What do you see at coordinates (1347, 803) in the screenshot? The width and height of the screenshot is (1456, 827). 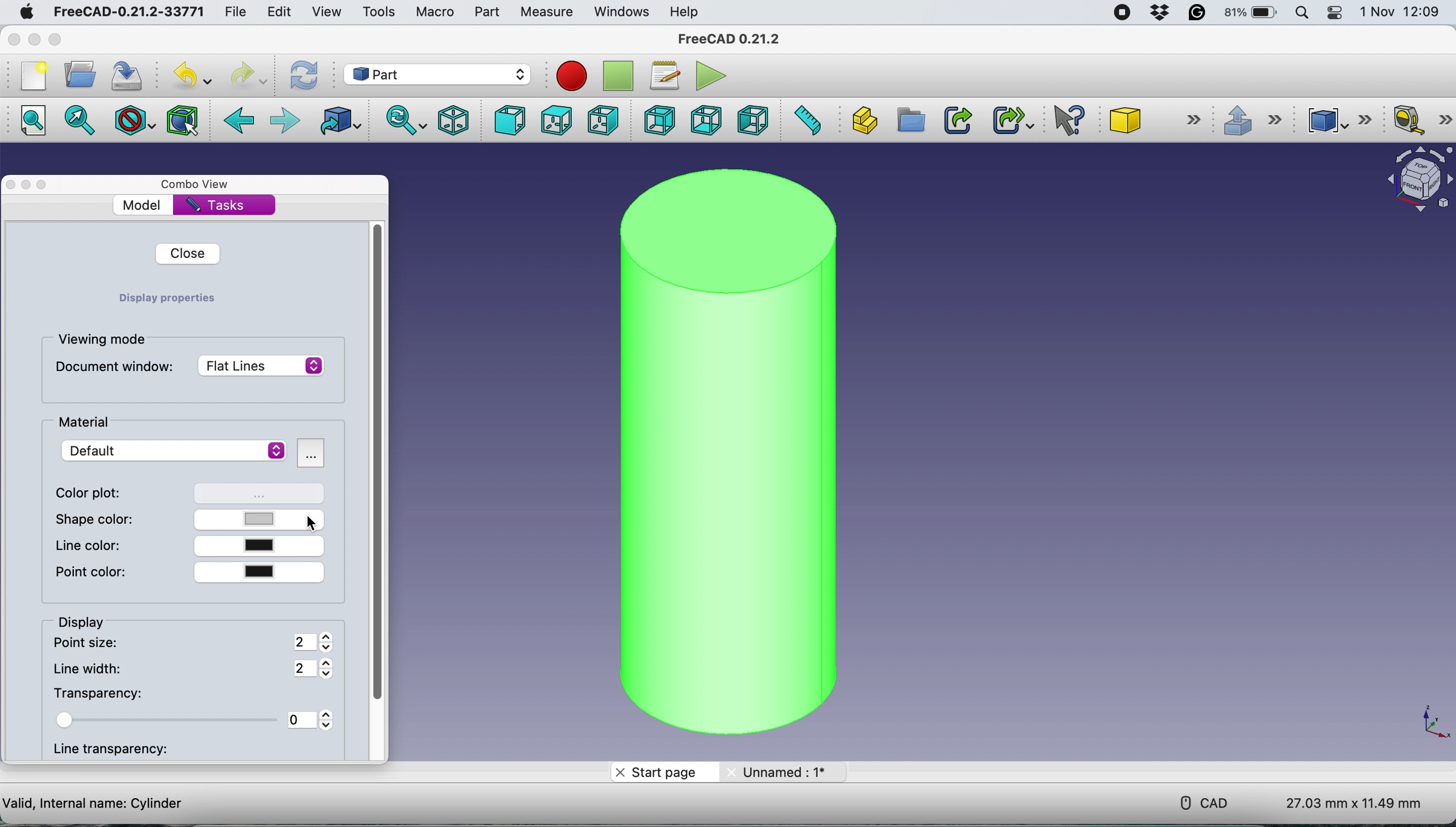 I see `dimensions` at bounding box center [1347, 803].